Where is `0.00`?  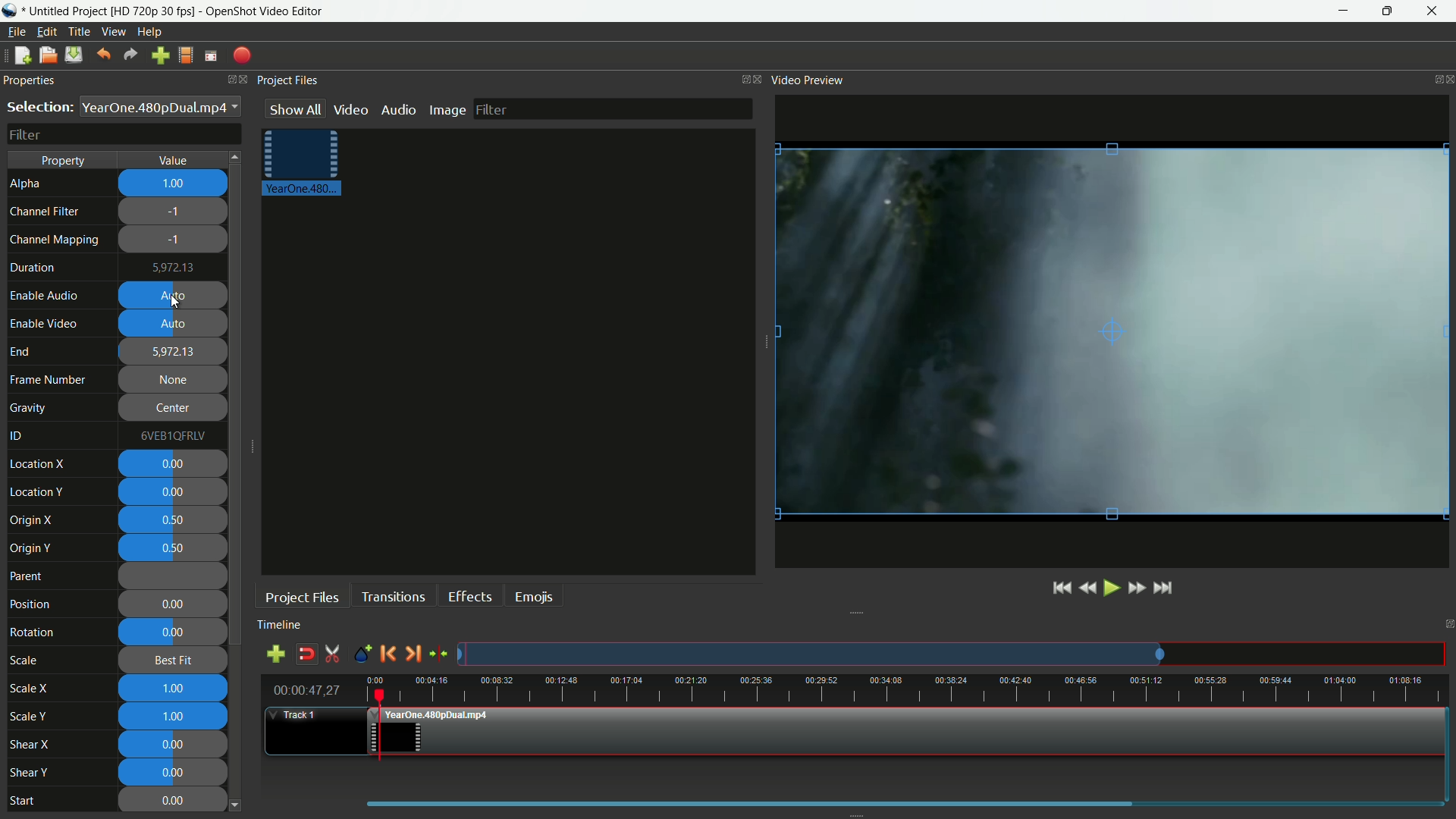 0.00 is located at coordinates (177, 770).